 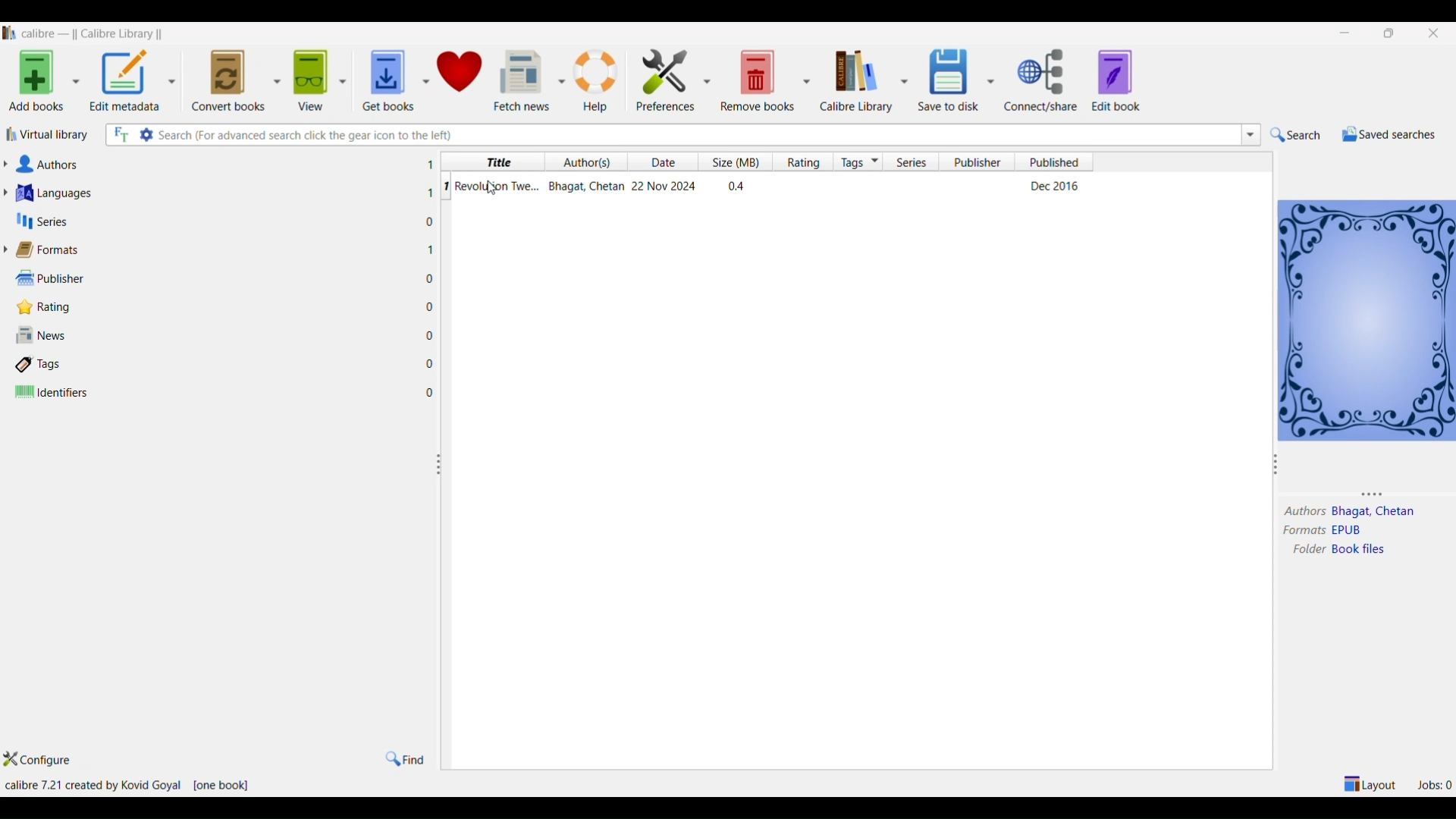 I want to click on number of books, so click(x=224, y=787).